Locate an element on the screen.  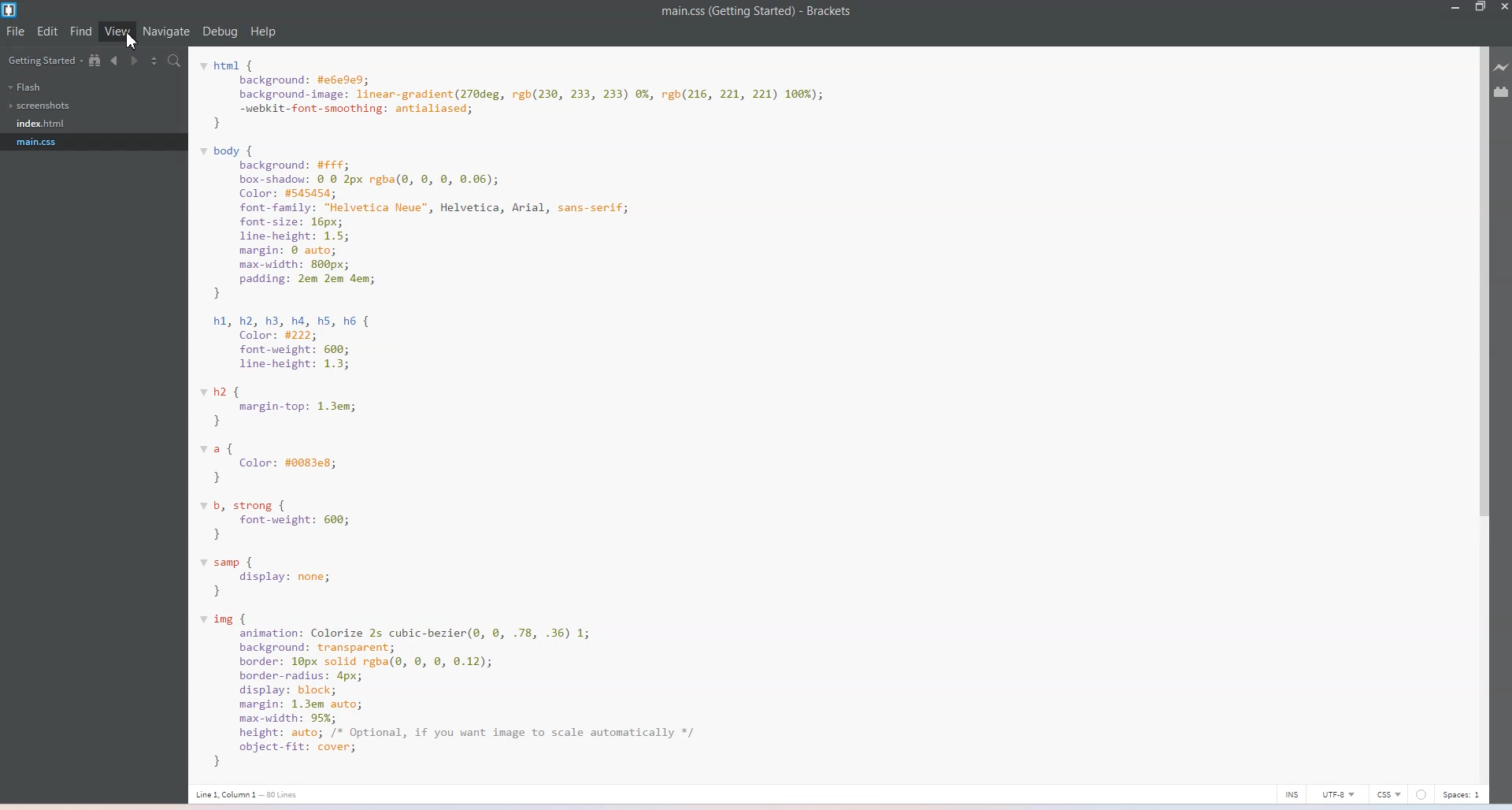
Find is located at coordinates (81, 31).